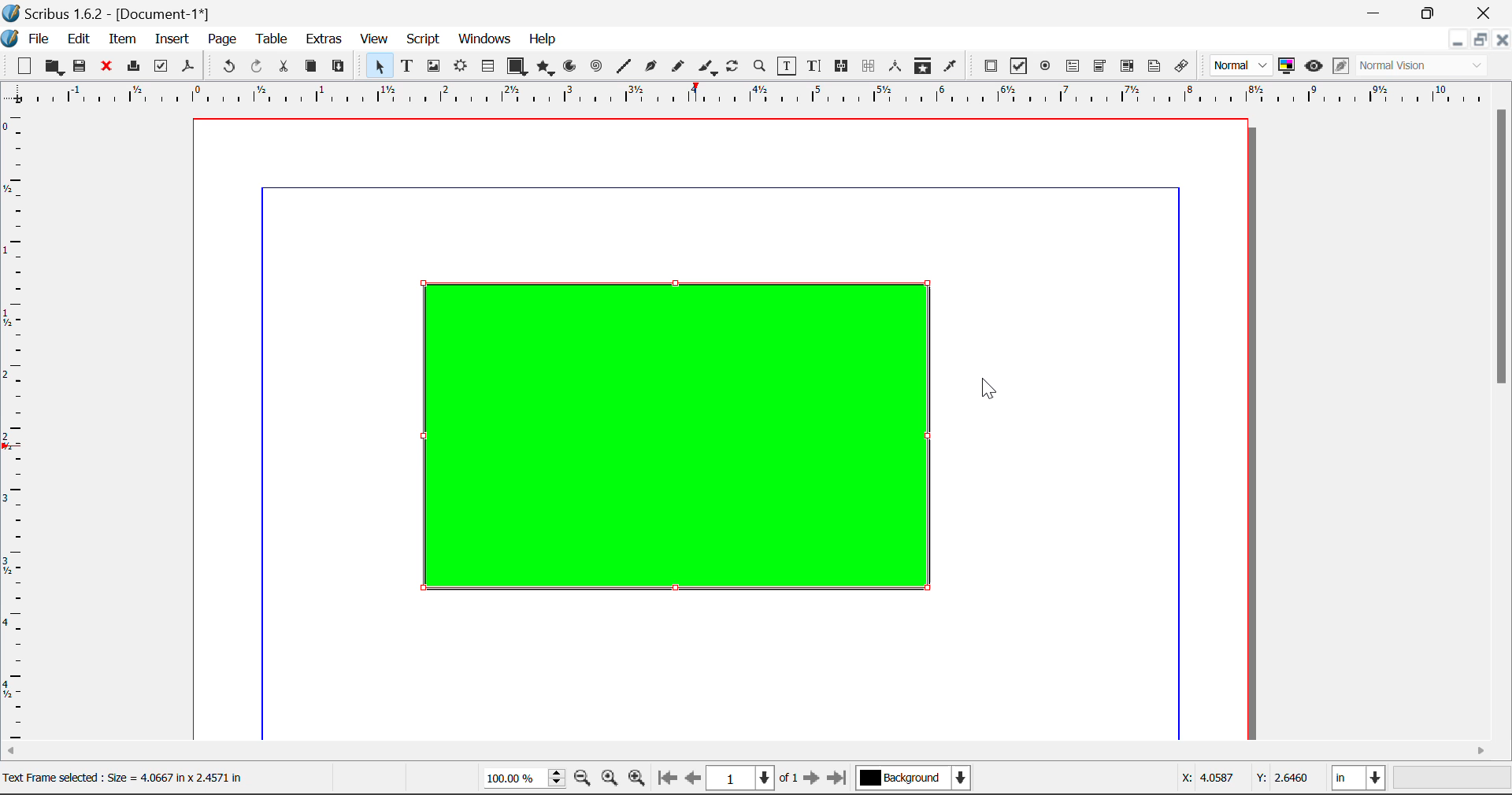 The width and height of the screenshot is (1512, 795). I want to click on Link Frames, so click(842, 66).